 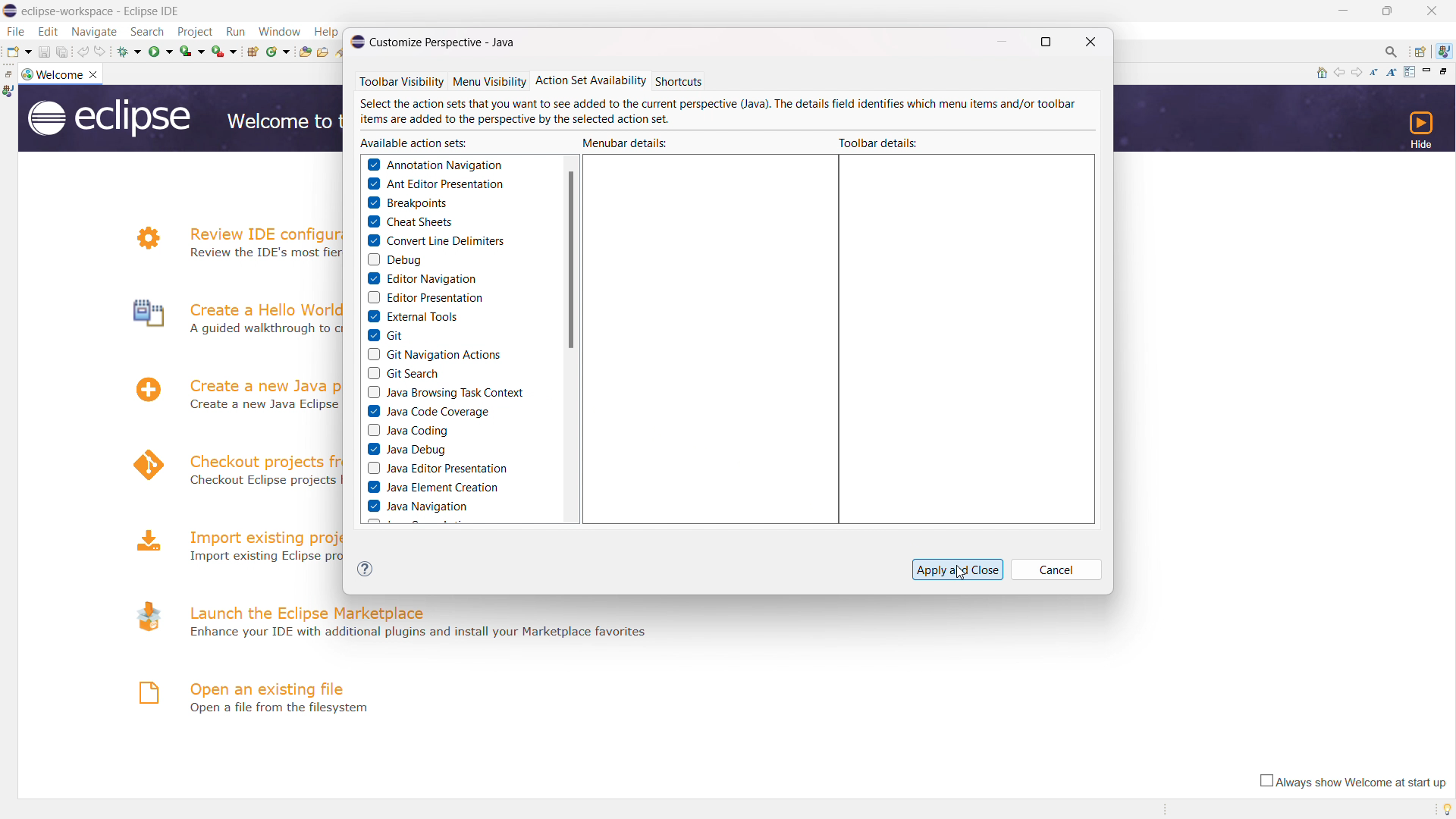 I want to click on edit, so click(x=48, y=31).